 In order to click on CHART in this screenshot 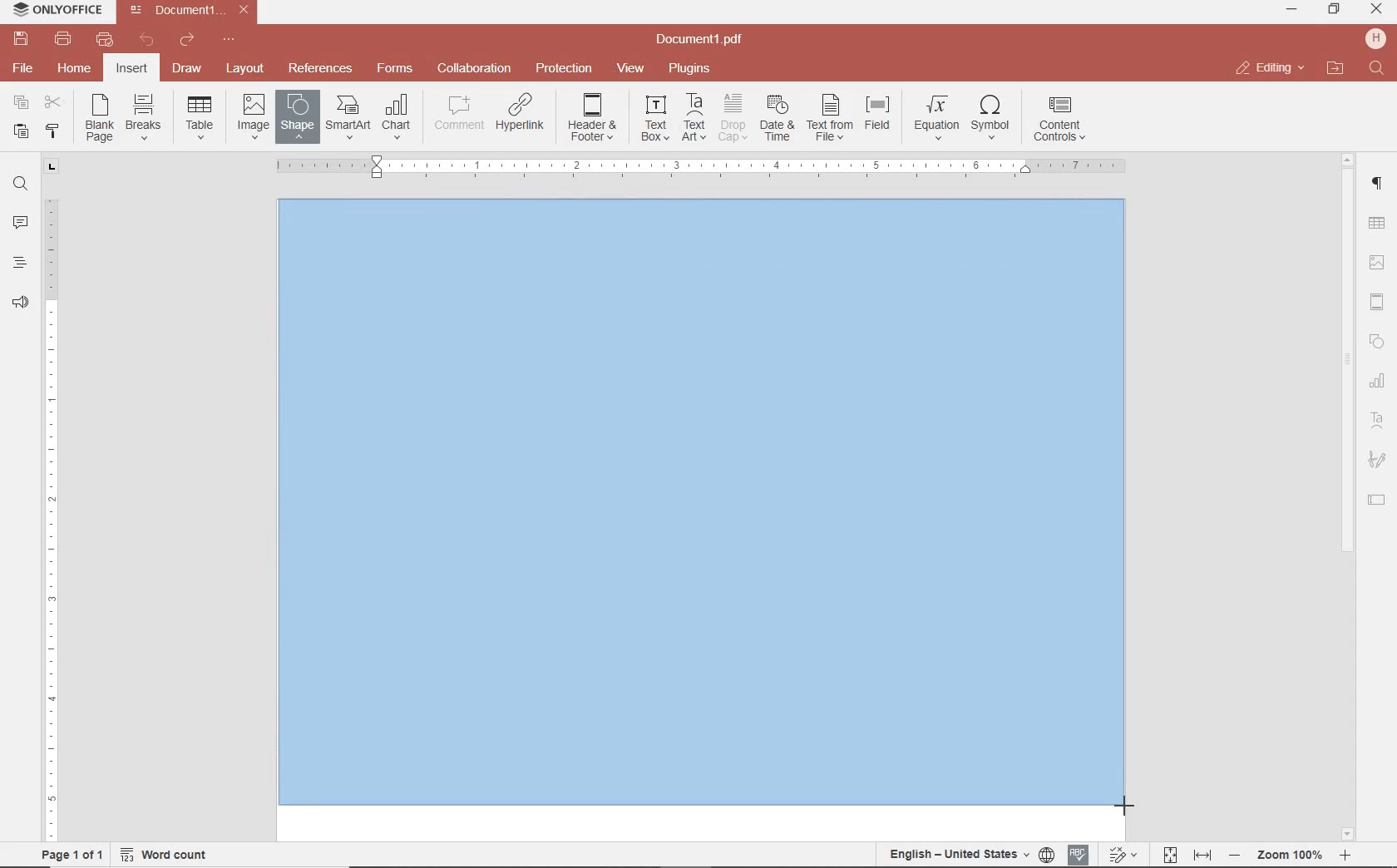, I will do `click(1378, 382)`.